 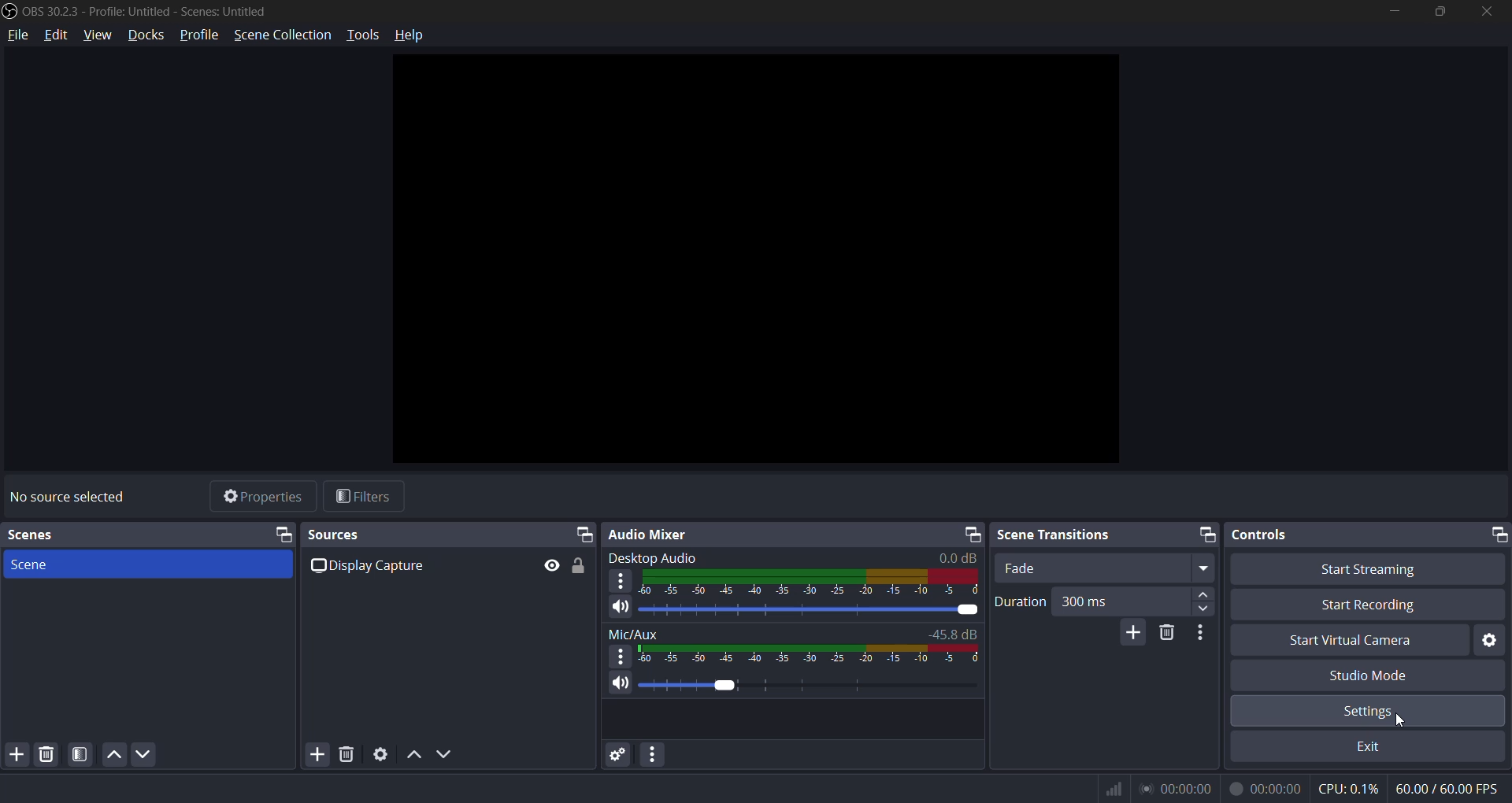 What do you see at coordinates (951, 558) in the screenshot?
I see `0.0 dB` at bounding box center [951, 558].